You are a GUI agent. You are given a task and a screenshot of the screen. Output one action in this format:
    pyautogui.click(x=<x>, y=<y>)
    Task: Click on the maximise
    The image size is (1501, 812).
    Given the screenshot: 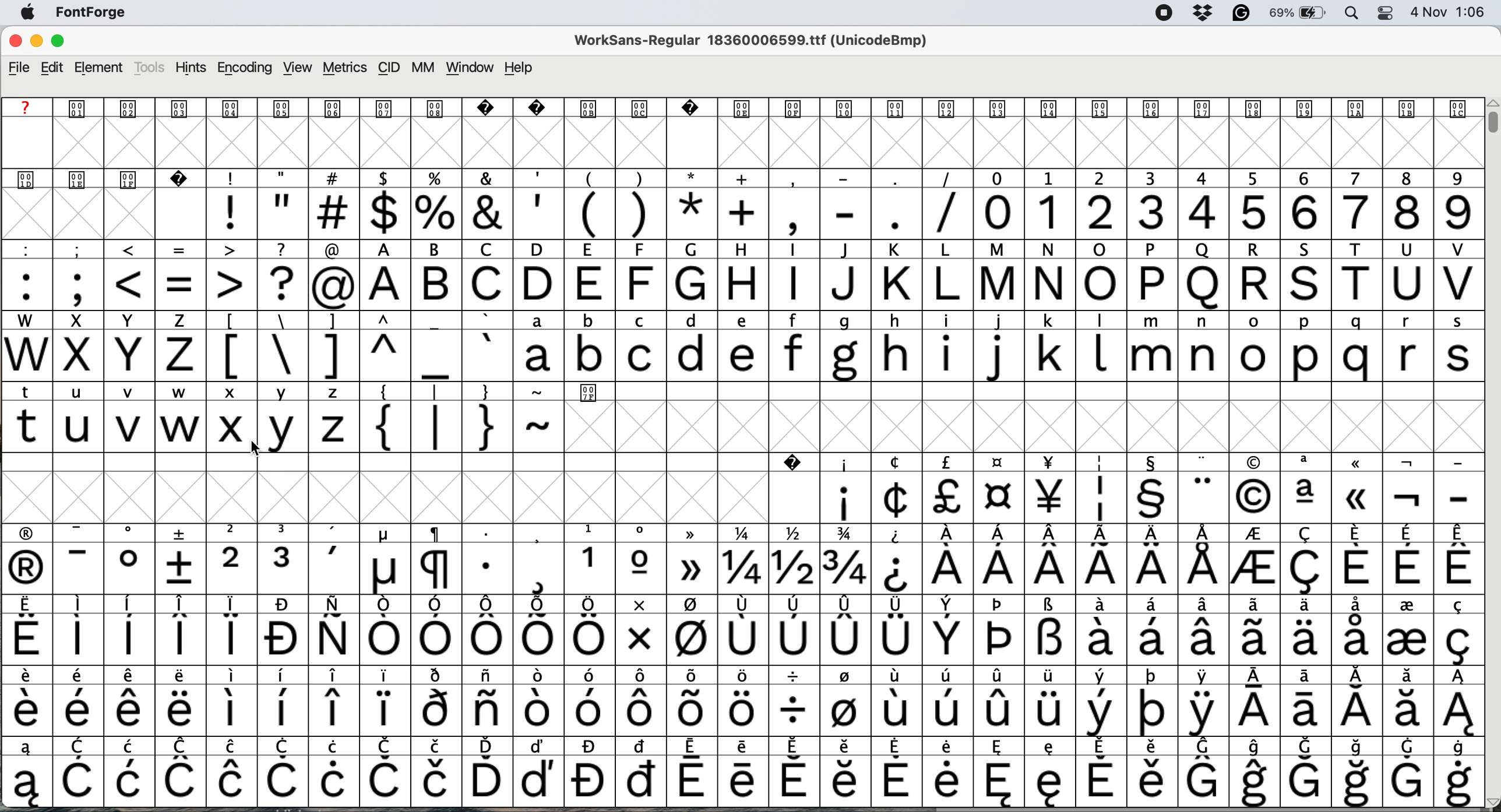 What is the action you would take?
    pyautogui.click(x=65, y=43)
    